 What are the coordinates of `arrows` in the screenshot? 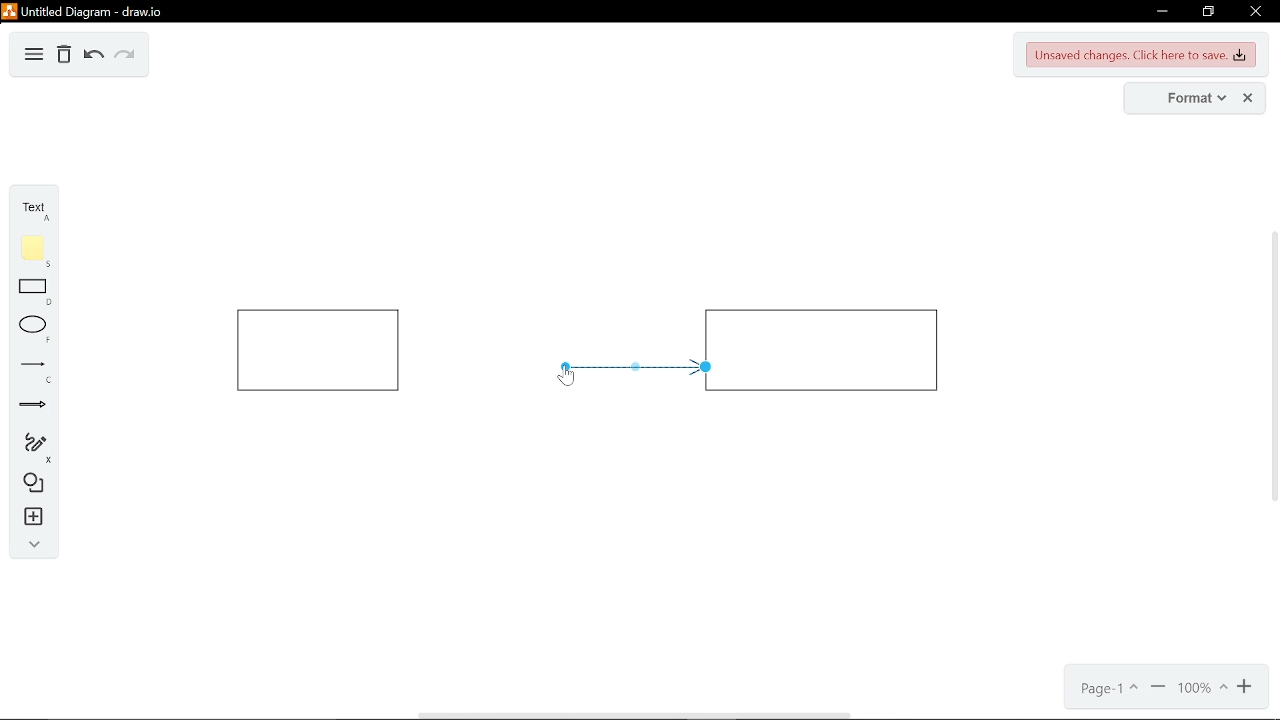 It's located at (27, 406).